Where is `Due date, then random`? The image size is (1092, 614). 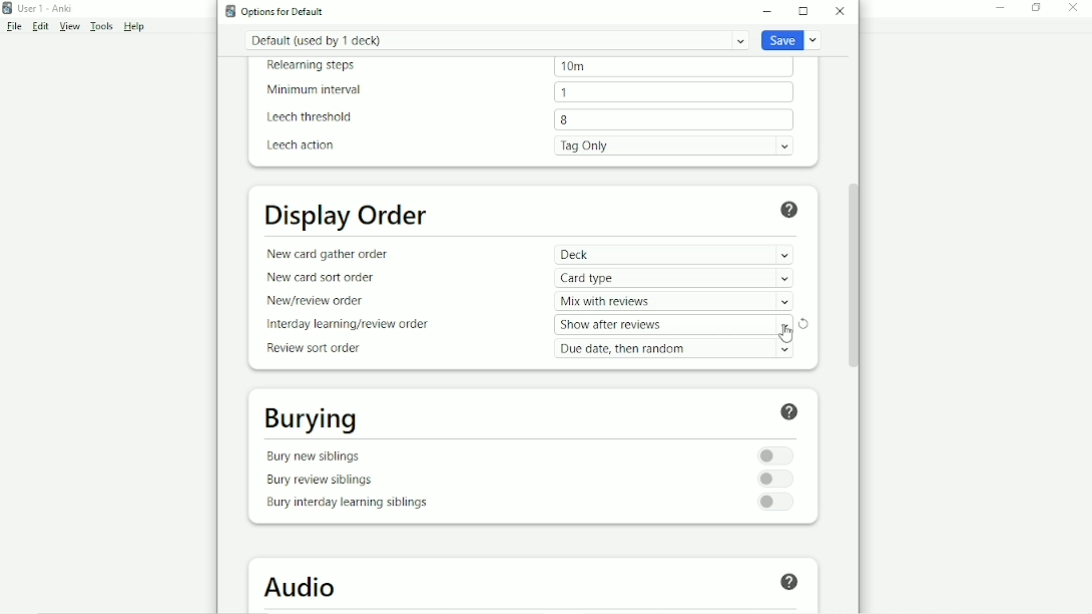 Due date, then random is located at coordinates (675, 348).